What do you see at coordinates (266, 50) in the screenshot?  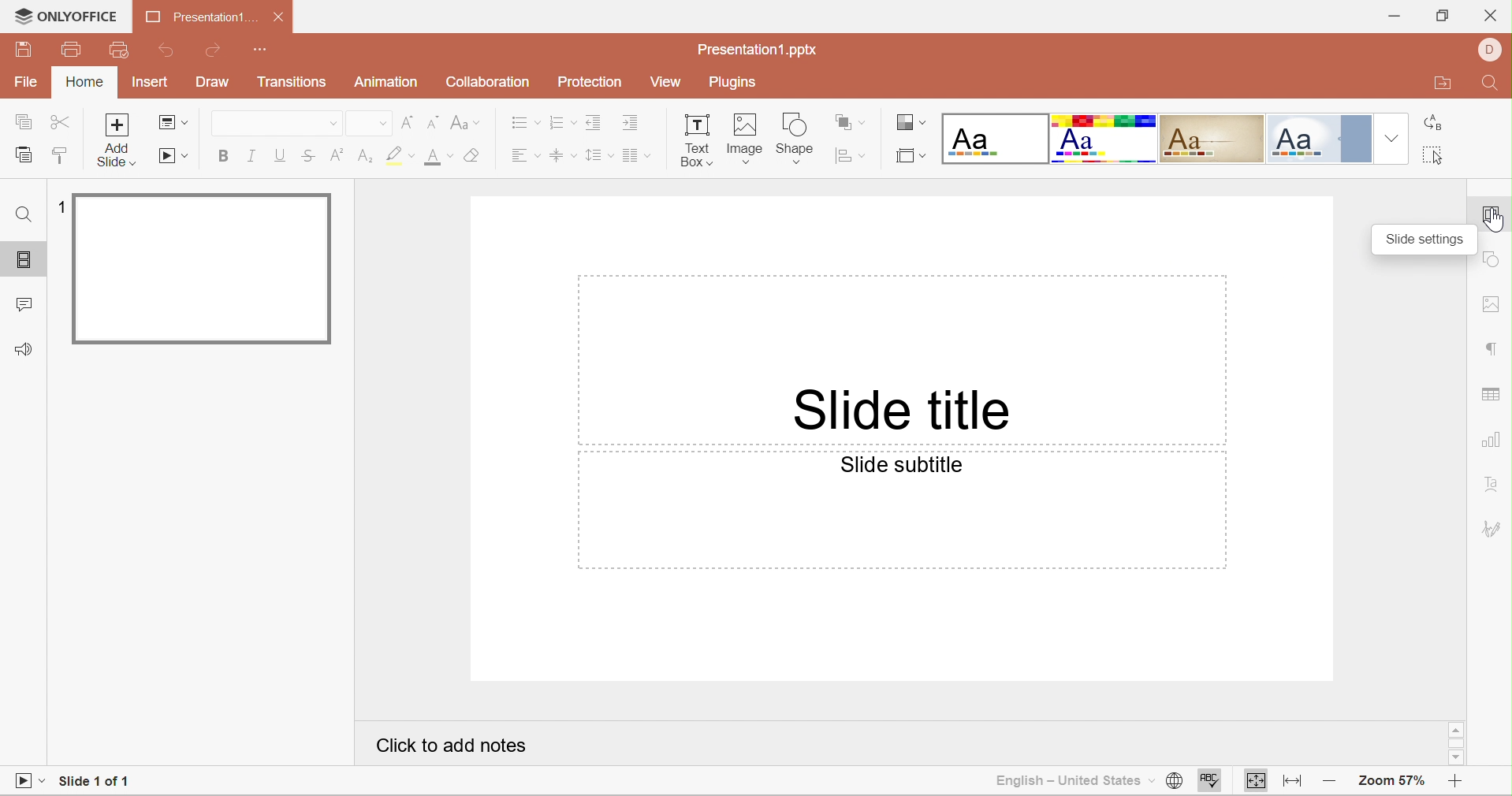 I see `Customize quick access toolbar` at bounding box center [266, 50].